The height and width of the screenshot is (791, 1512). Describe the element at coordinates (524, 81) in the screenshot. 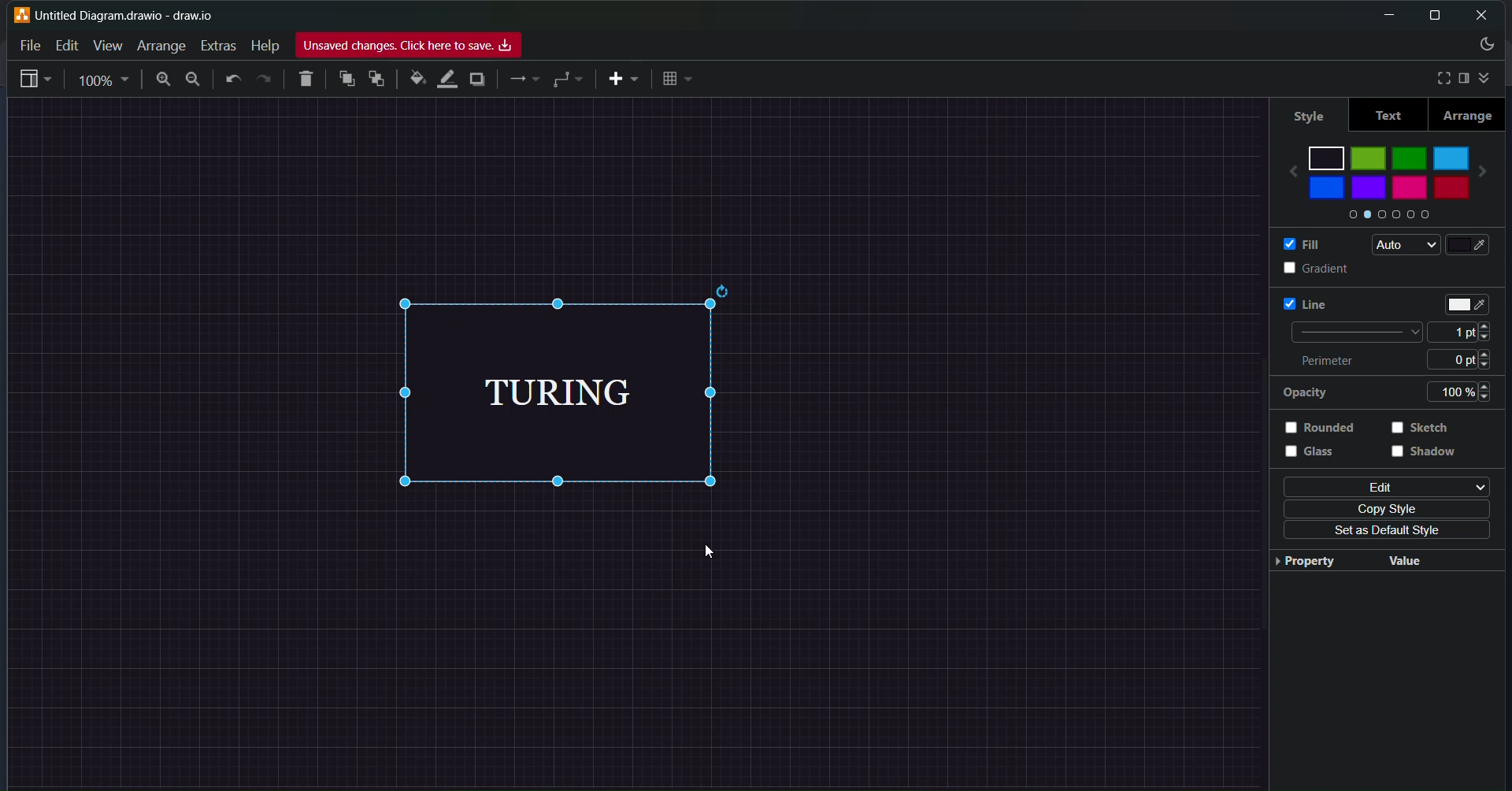

I see `lines` at that location.